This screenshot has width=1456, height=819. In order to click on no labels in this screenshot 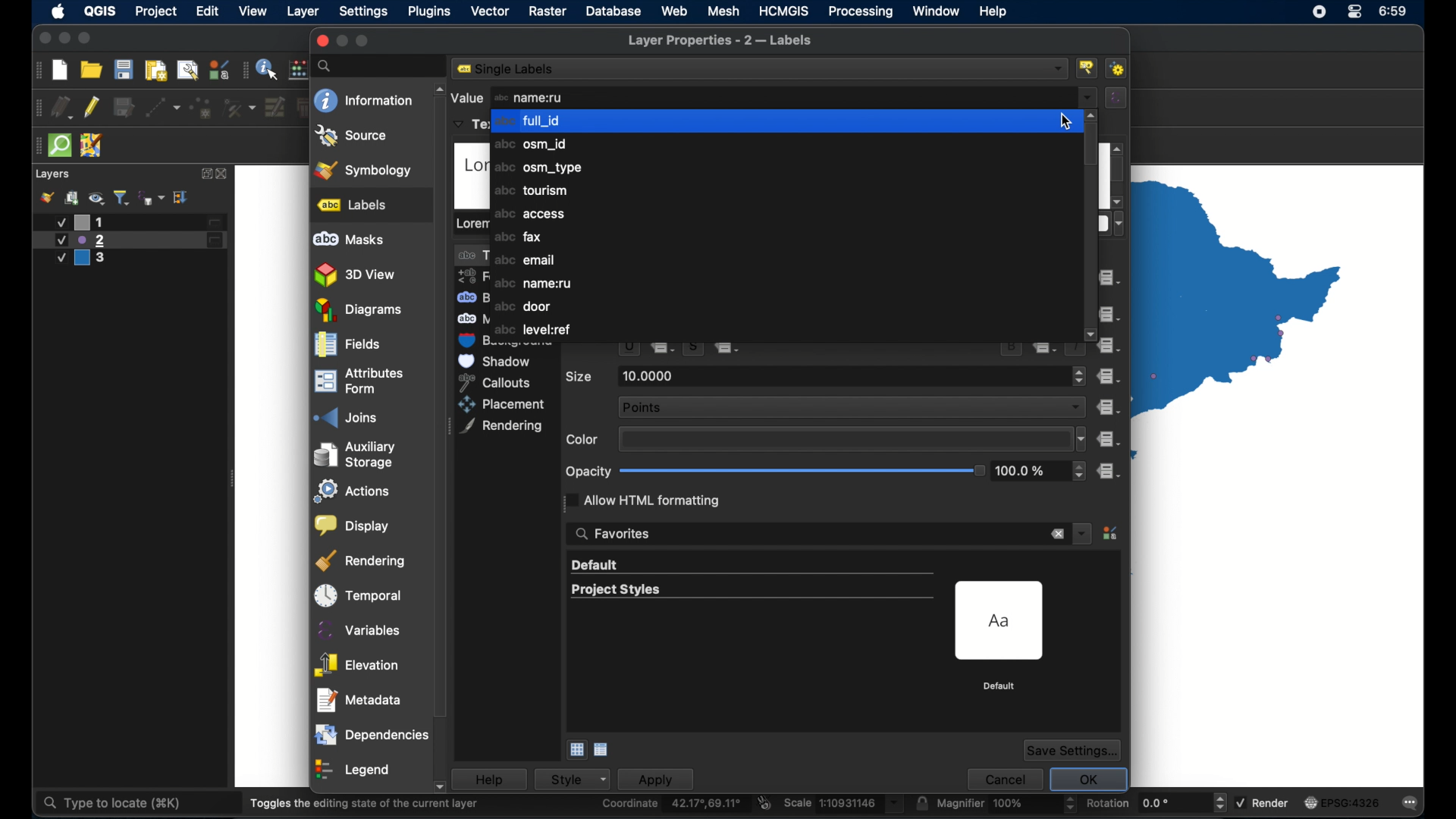, I will do `click(510, 69)`.